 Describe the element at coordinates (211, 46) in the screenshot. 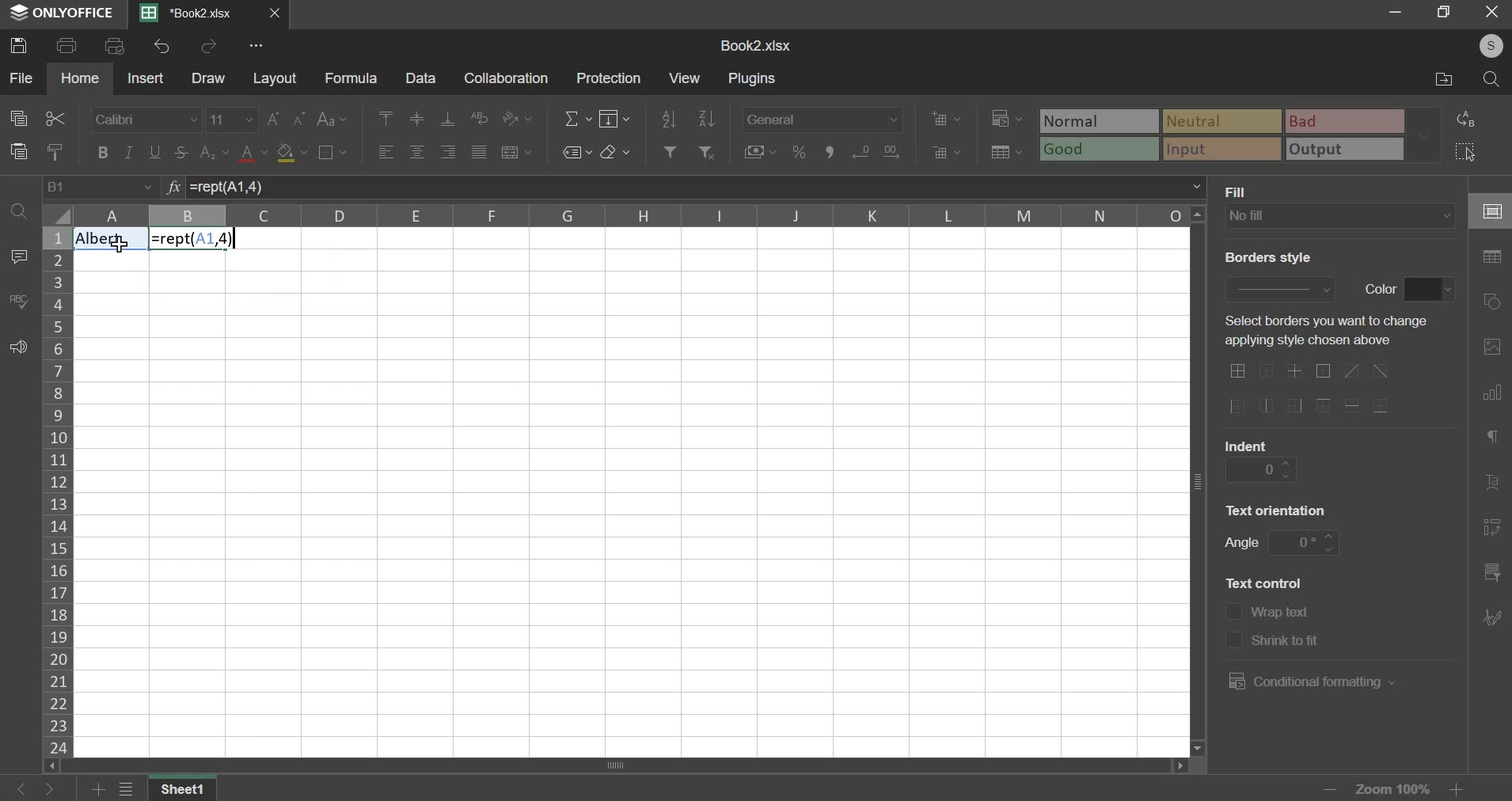

I see `redo` at that location.